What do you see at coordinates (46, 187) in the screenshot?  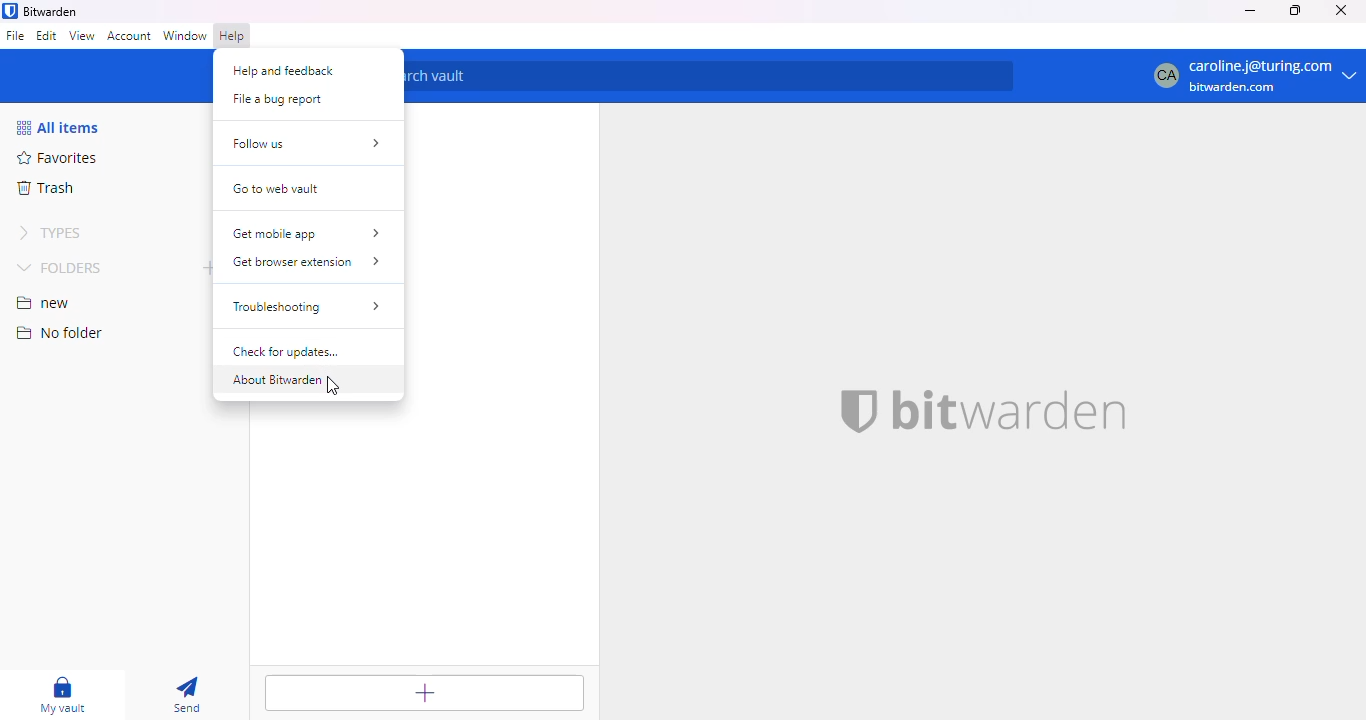 I see `trash` at bounding box center [46, 187].